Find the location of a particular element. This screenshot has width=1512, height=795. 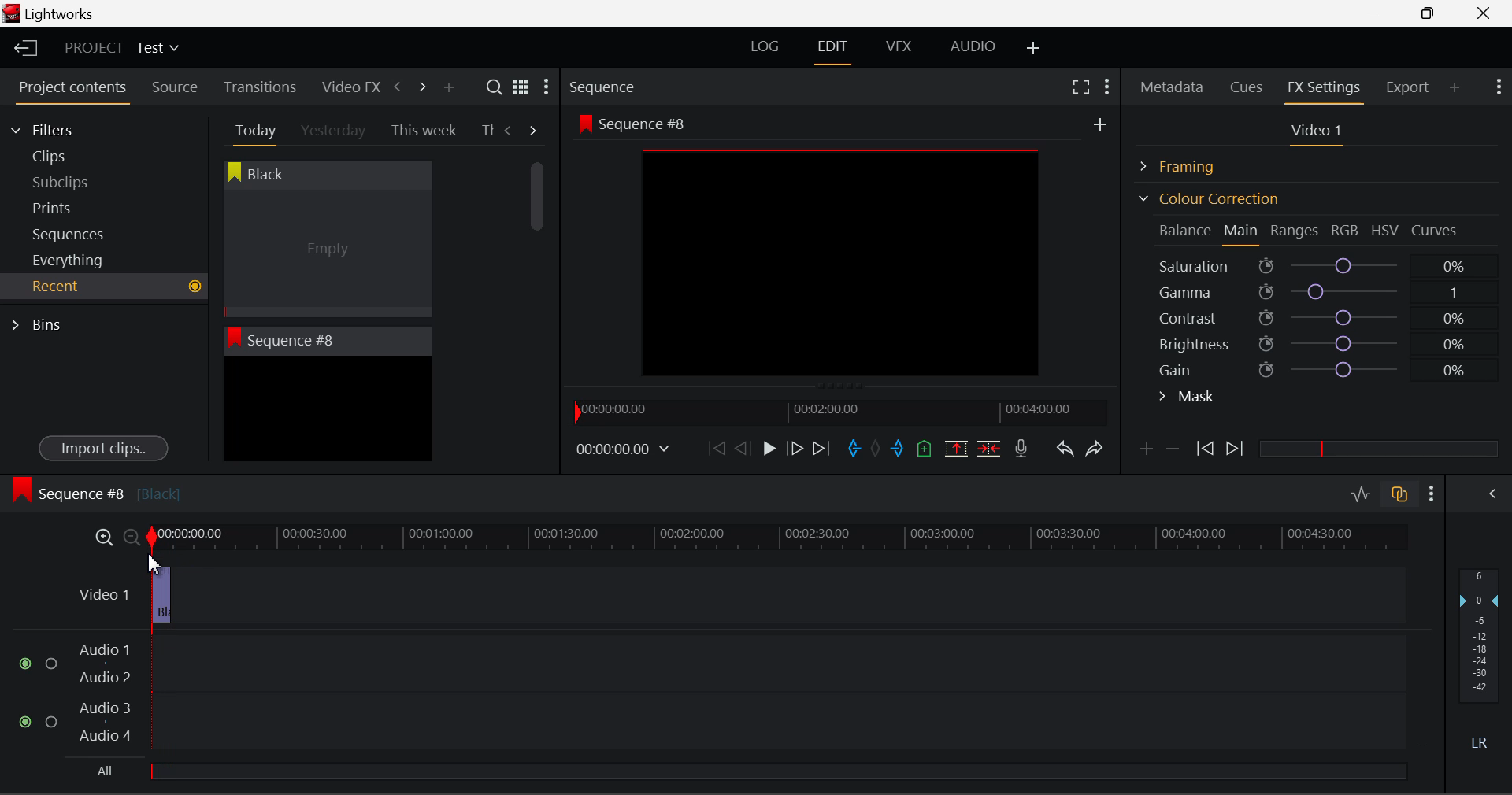

RGB is located at coordinates (1346, 231).